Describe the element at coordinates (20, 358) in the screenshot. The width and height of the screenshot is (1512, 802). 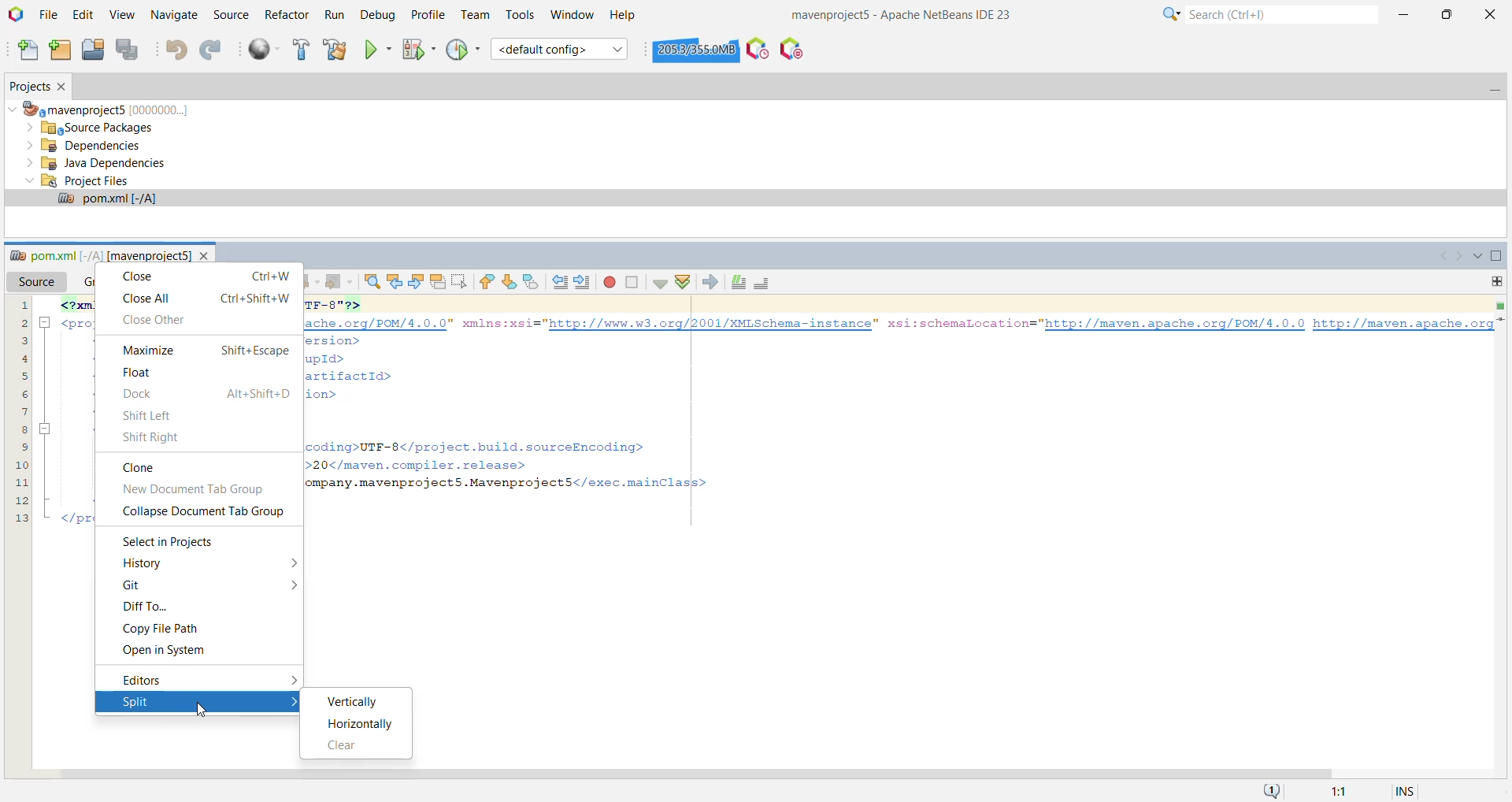
I see `4` at that location.